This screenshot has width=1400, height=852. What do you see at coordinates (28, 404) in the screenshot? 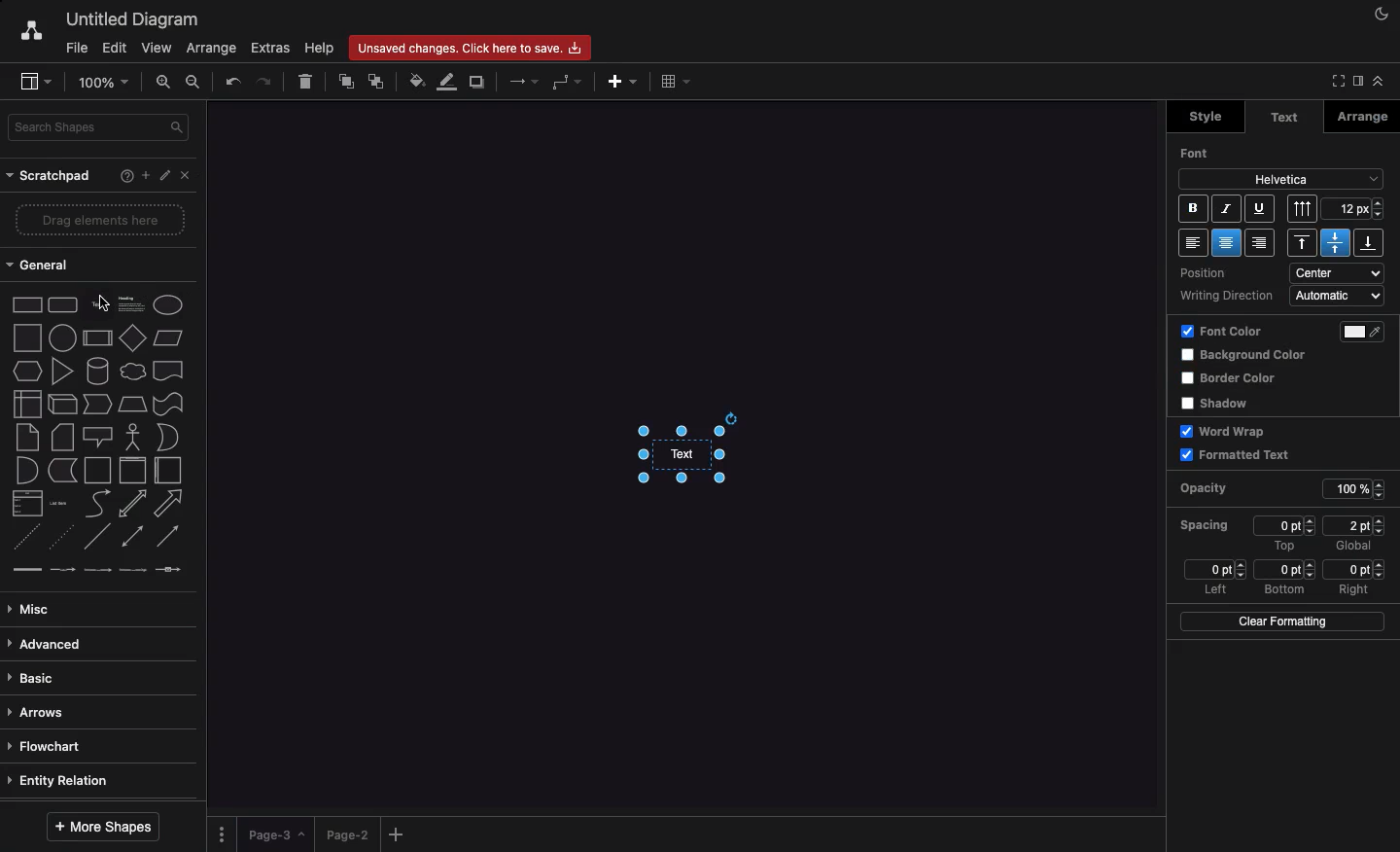
I see `internal storage` at bounding box center [28, 404].